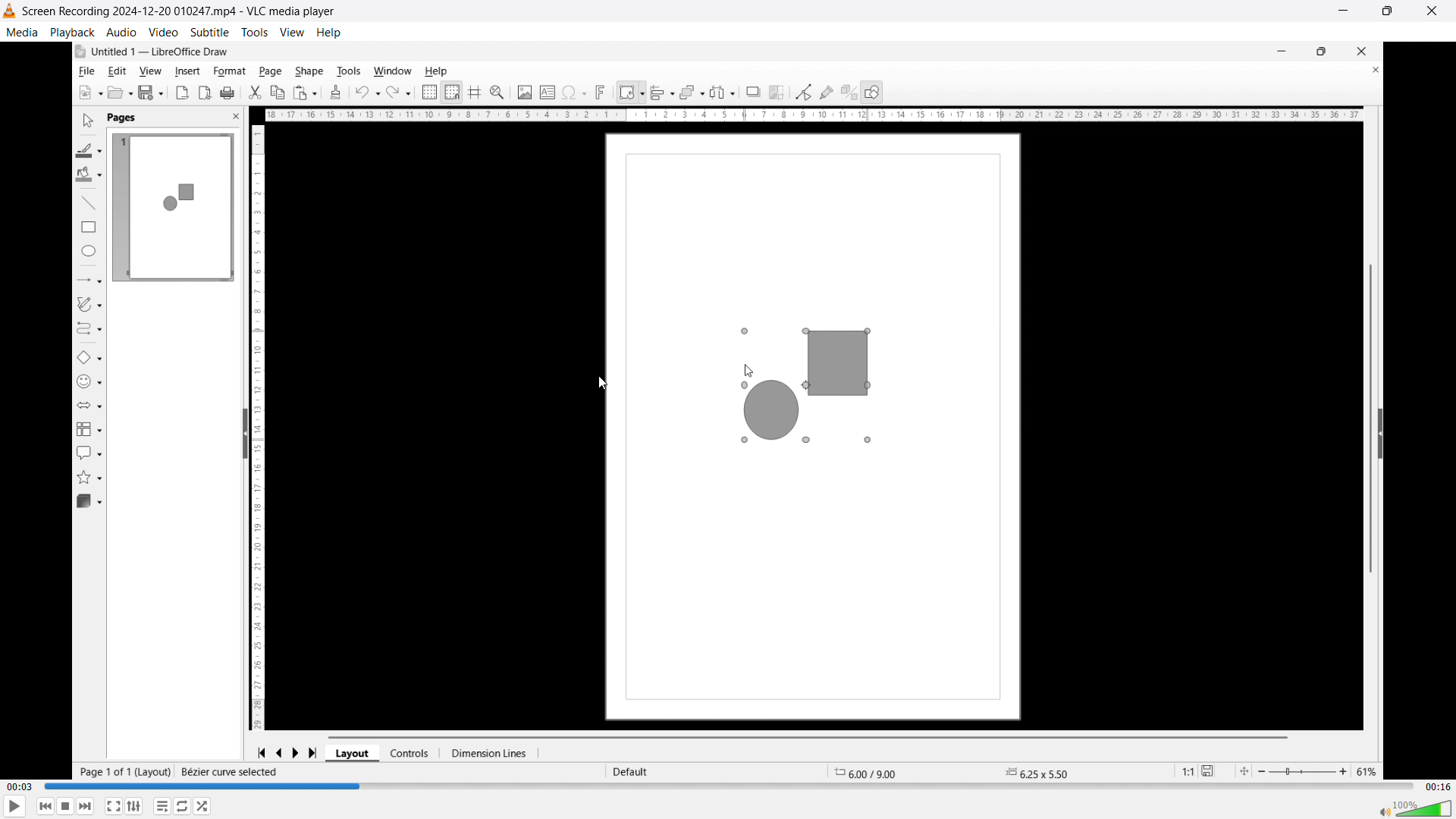 The image size is (1456, 819). What do you see at coordinates (163, 32) in the screenshot?
I see `video` at bounding box center [163, 32].